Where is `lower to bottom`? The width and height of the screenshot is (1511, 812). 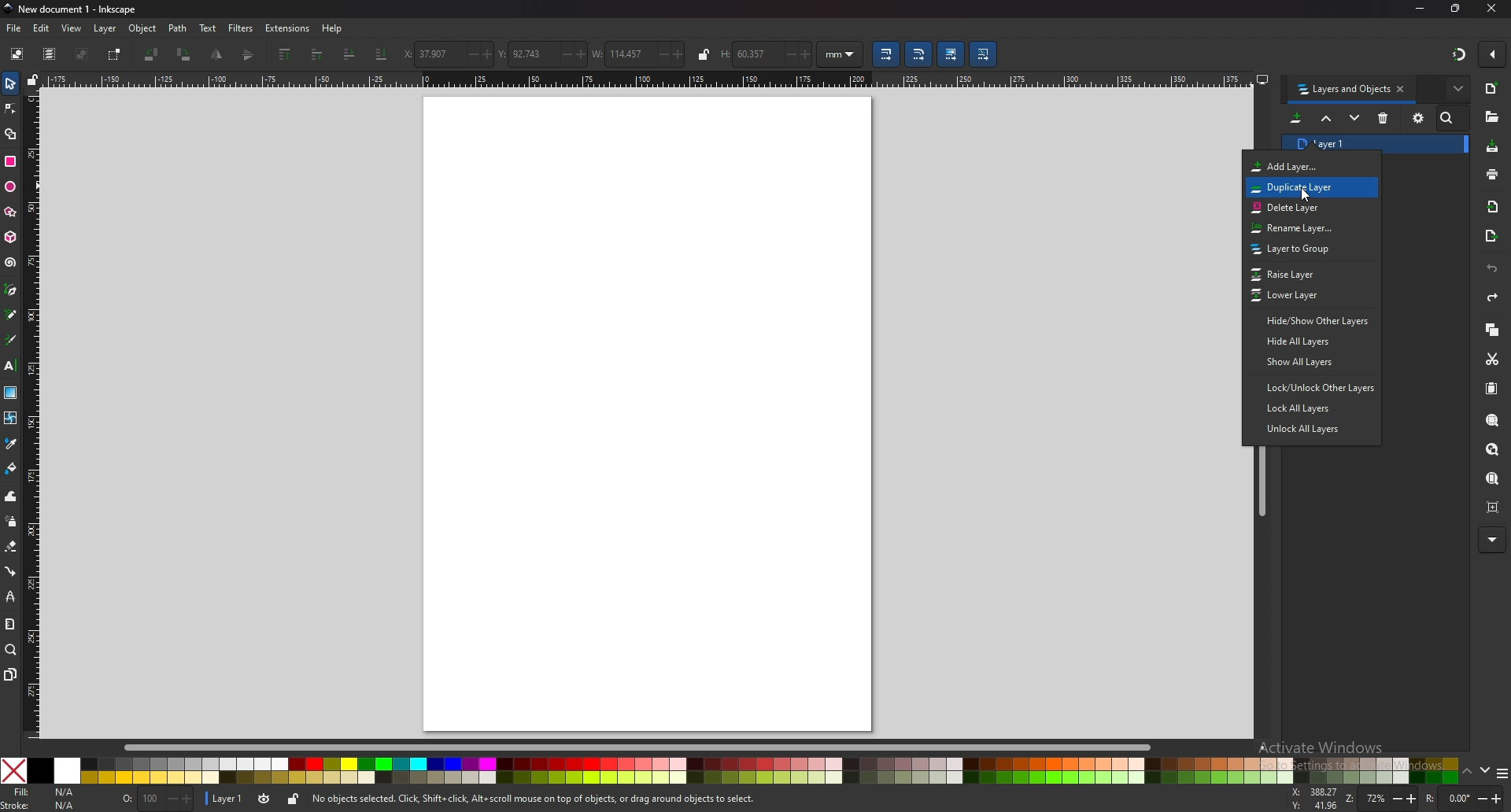 lower to bottom is located at coordinates (382, 54).